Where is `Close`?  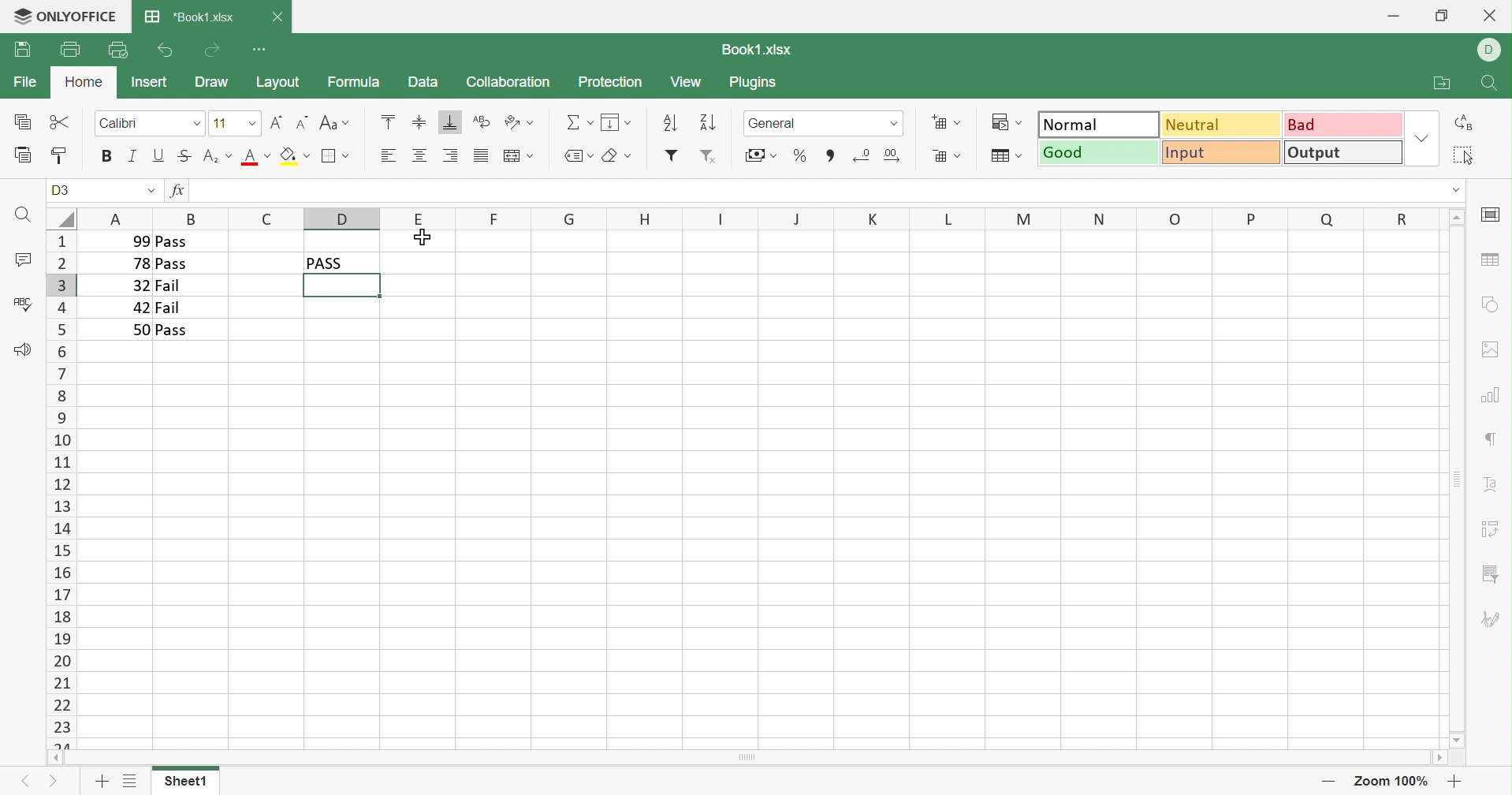 Close is located at coordinates (277, 19).